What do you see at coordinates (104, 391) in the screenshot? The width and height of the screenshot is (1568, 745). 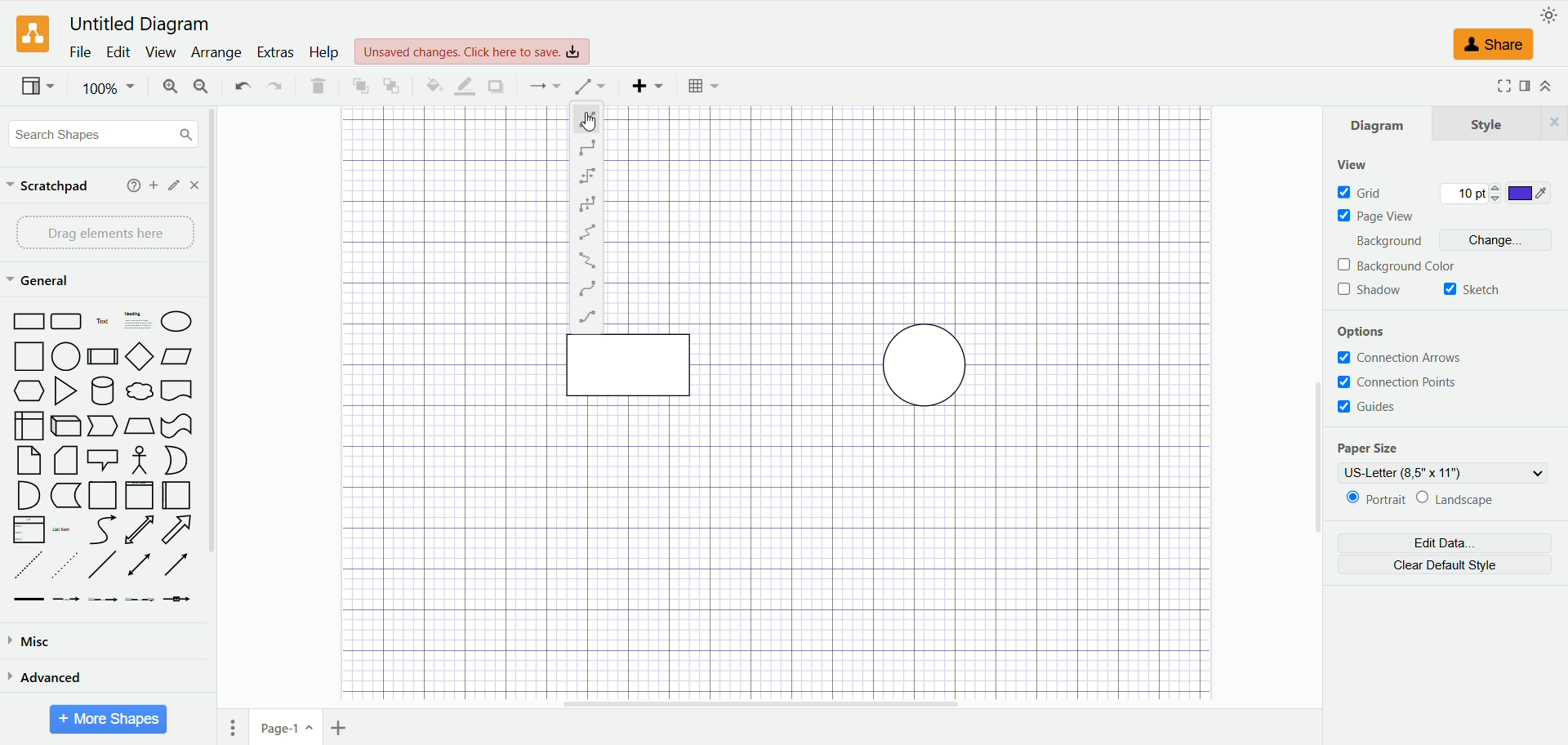 I see `Cylinder` at bounding box center [104, 391].